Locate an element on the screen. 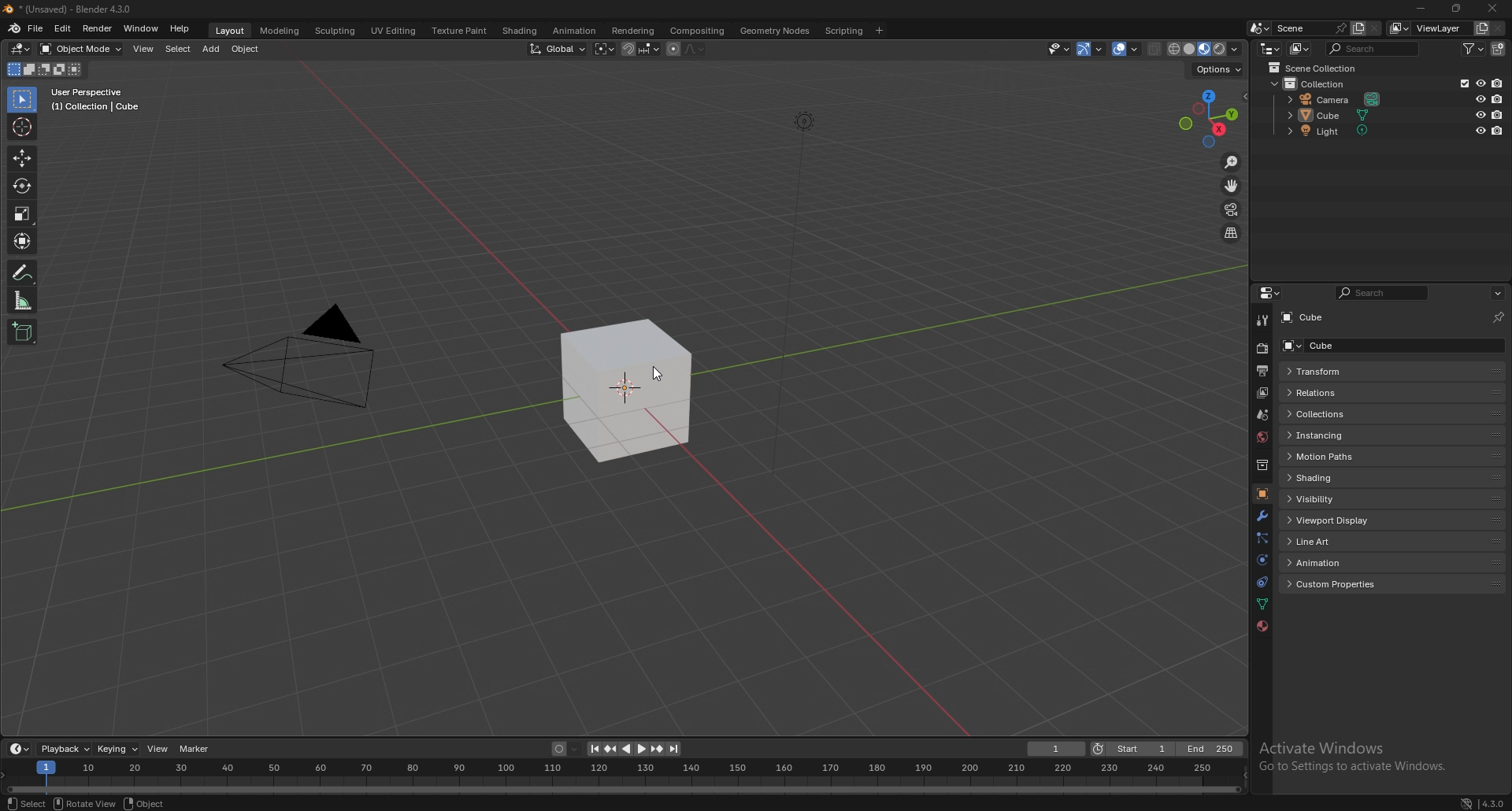 This screenshot has height=811, width=1512. tool is located at coordinates (1262, 321).